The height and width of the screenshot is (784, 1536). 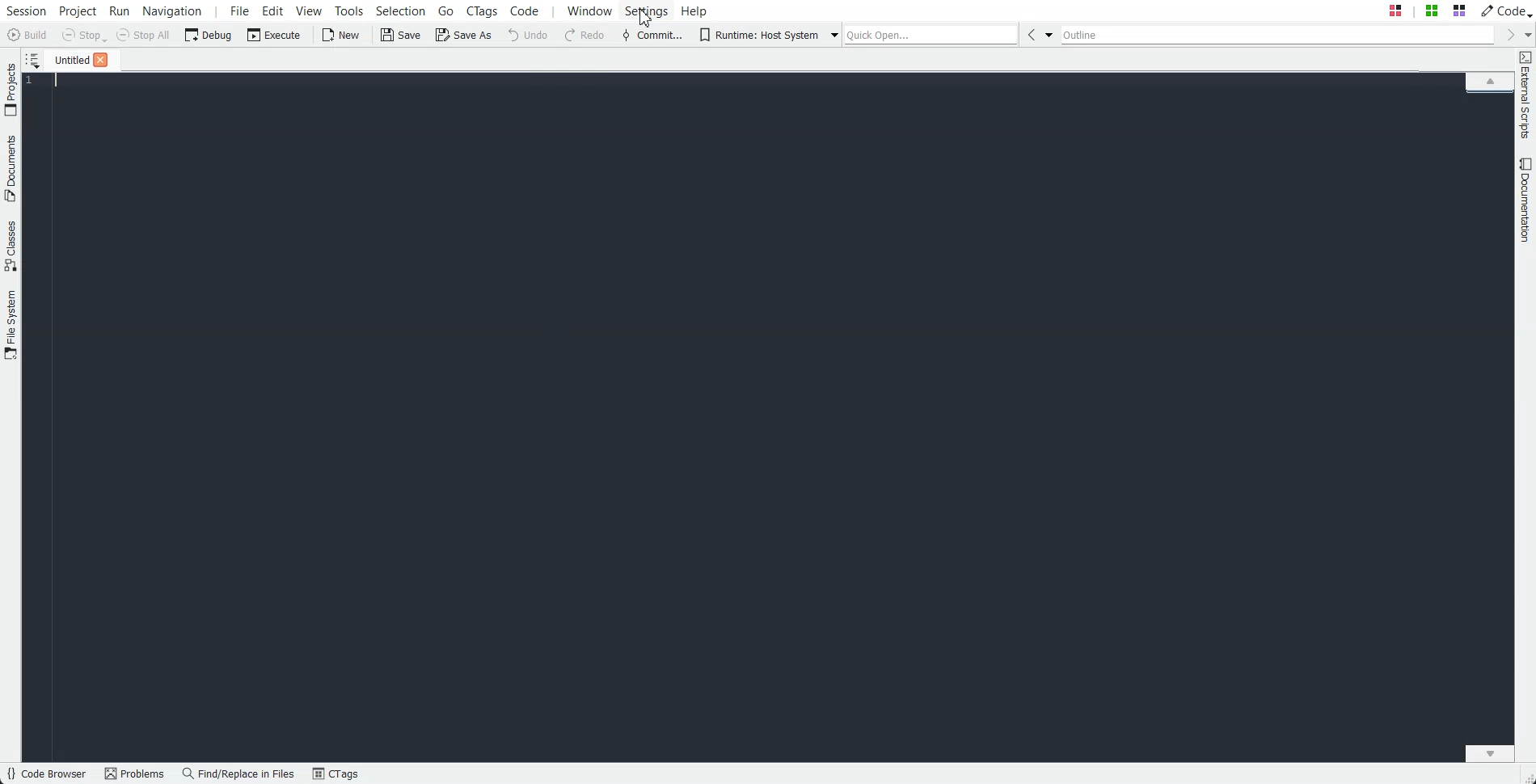 What do you see at coordinates (29, 36) in the screenshot?
I see `Build` at bounding box center [29, 36].